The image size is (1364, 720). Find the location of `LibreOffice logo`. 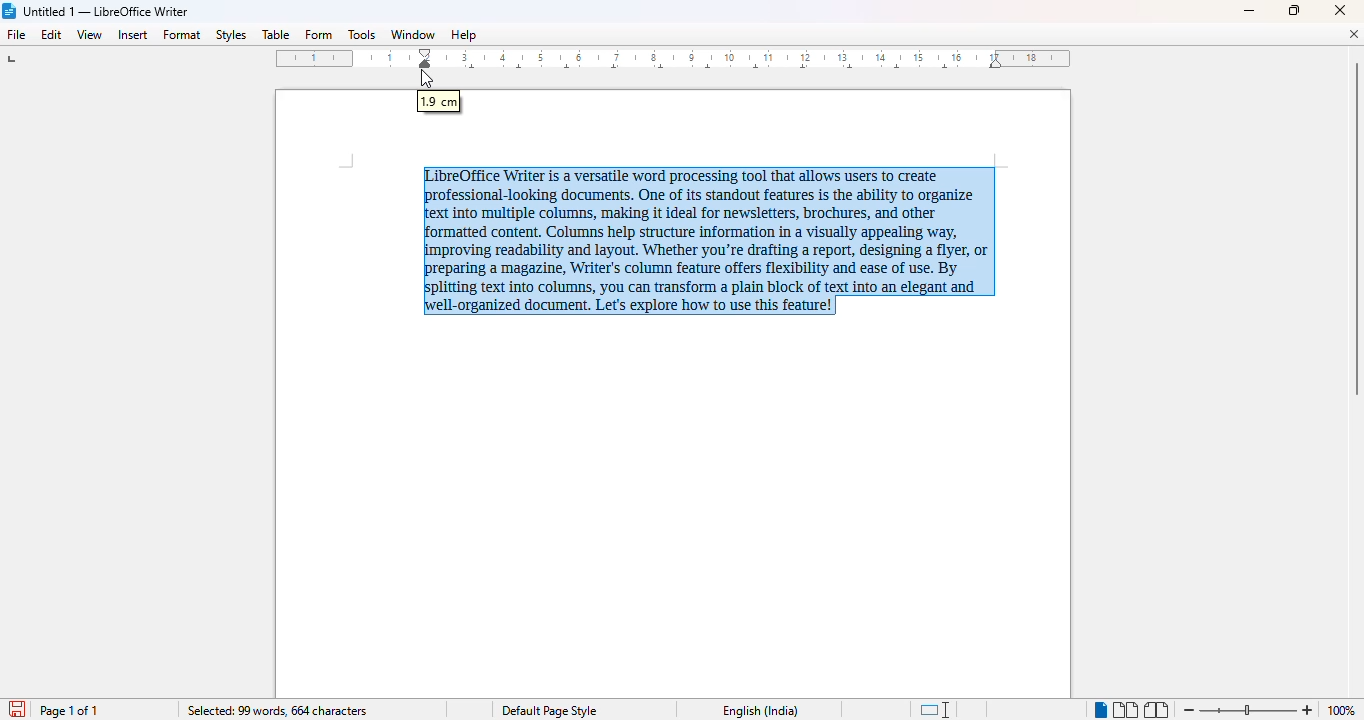

LibreOffice logo is located at coordinates (10, 11).